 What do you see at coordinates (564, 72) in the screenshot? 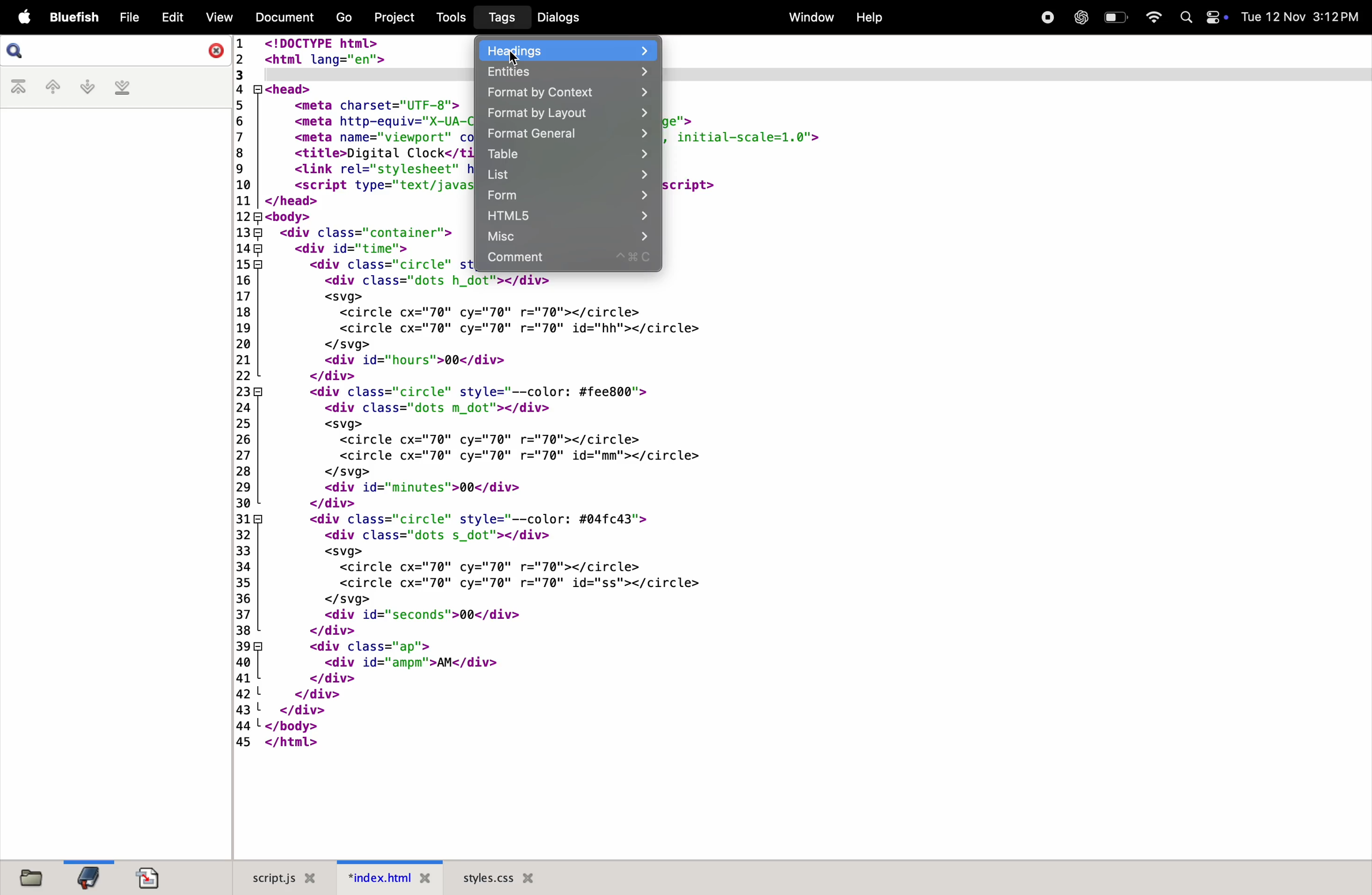
I see `entities` at bounding box center [564, 72].